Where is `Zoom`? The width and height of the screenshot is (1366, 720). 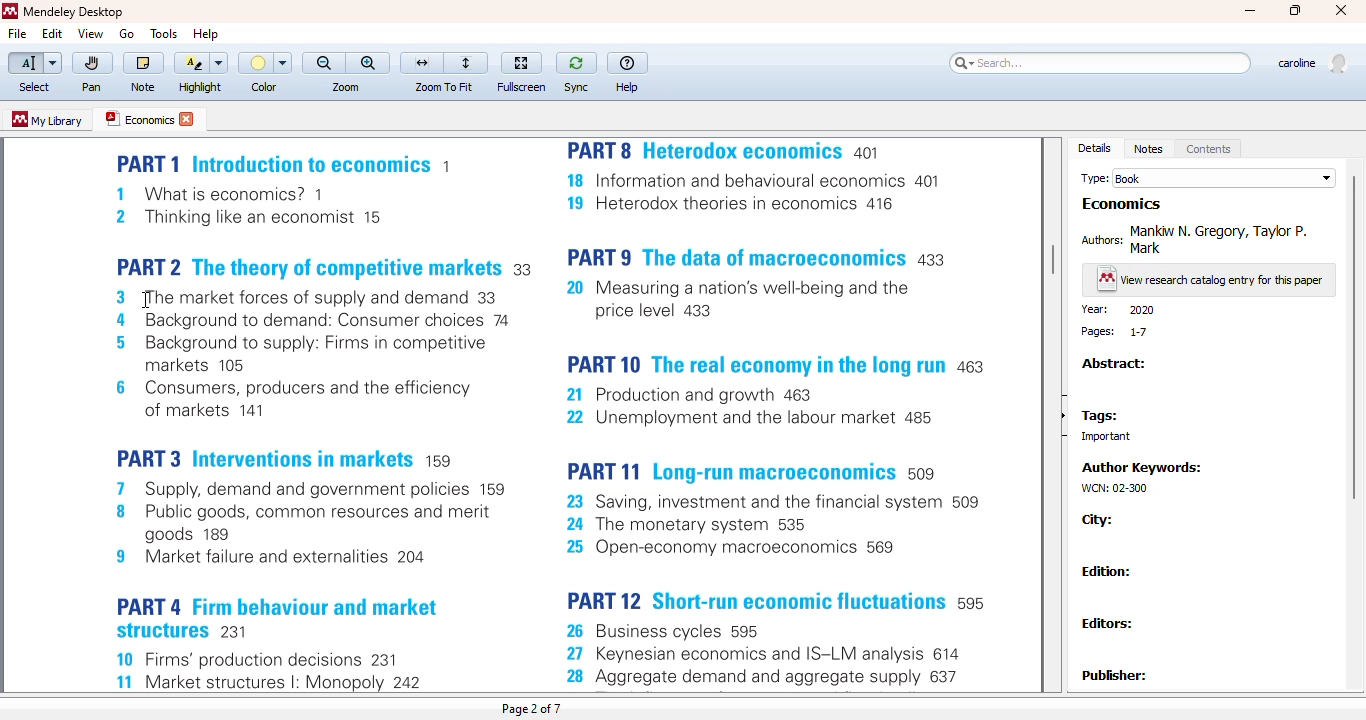 Zoom is located at coordinates (344, 62).